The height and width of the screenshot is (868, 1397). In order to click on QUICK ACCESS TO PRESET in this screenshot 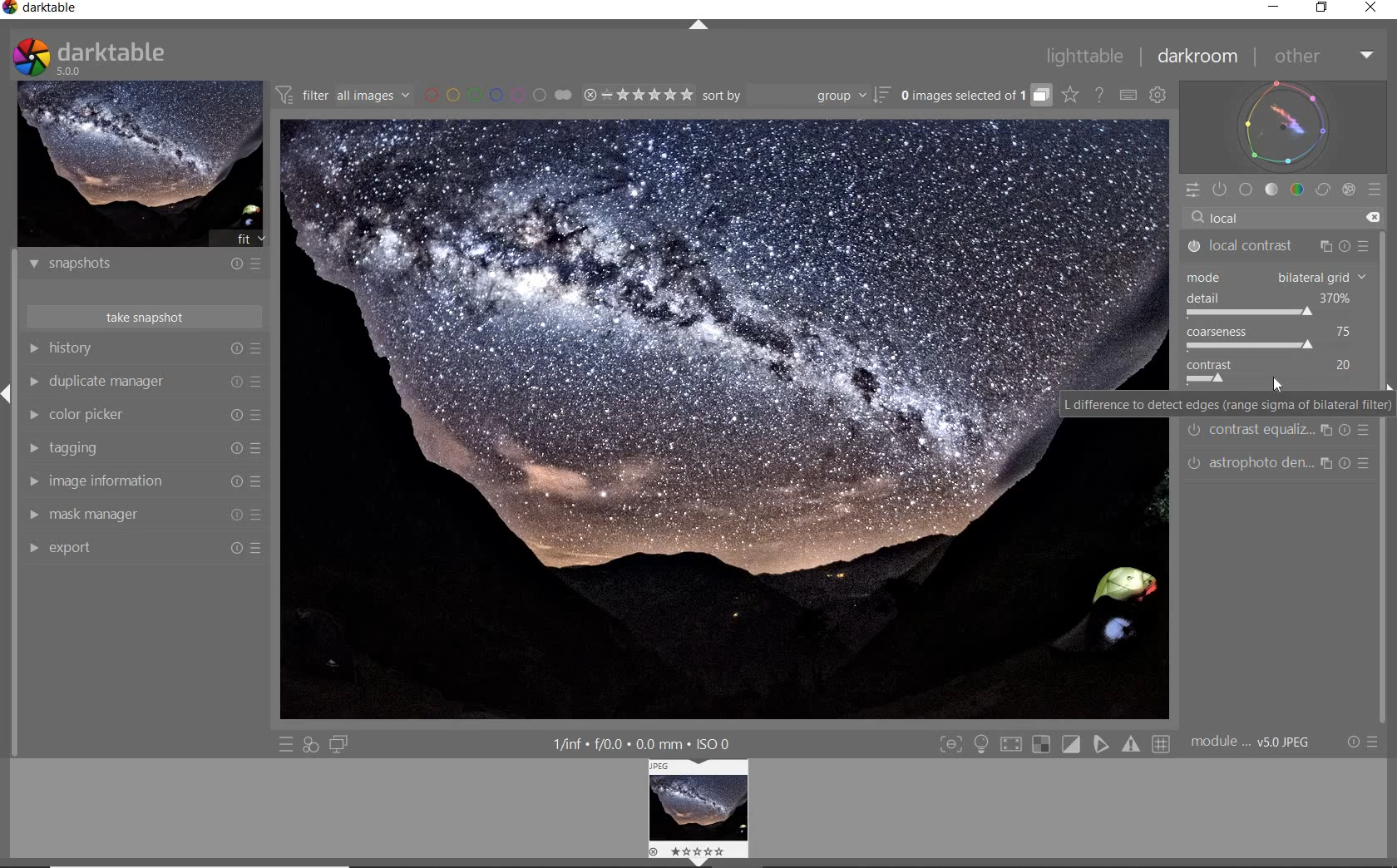, I will do `click(288, 744)`.